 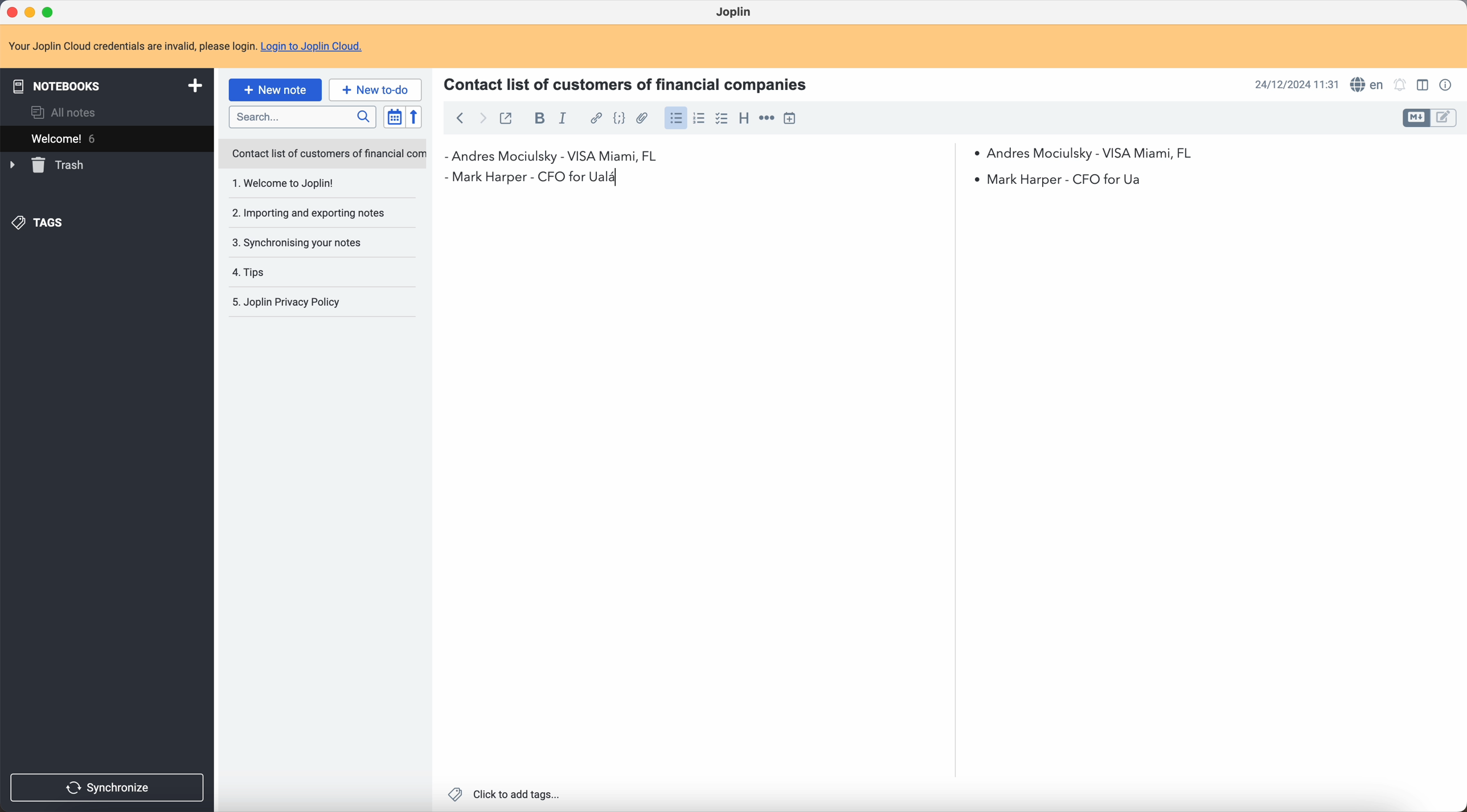 What do you see at coordinates (1448, 85) in the screenshot?
I see `note properties` at bounding box center [1448, 85].